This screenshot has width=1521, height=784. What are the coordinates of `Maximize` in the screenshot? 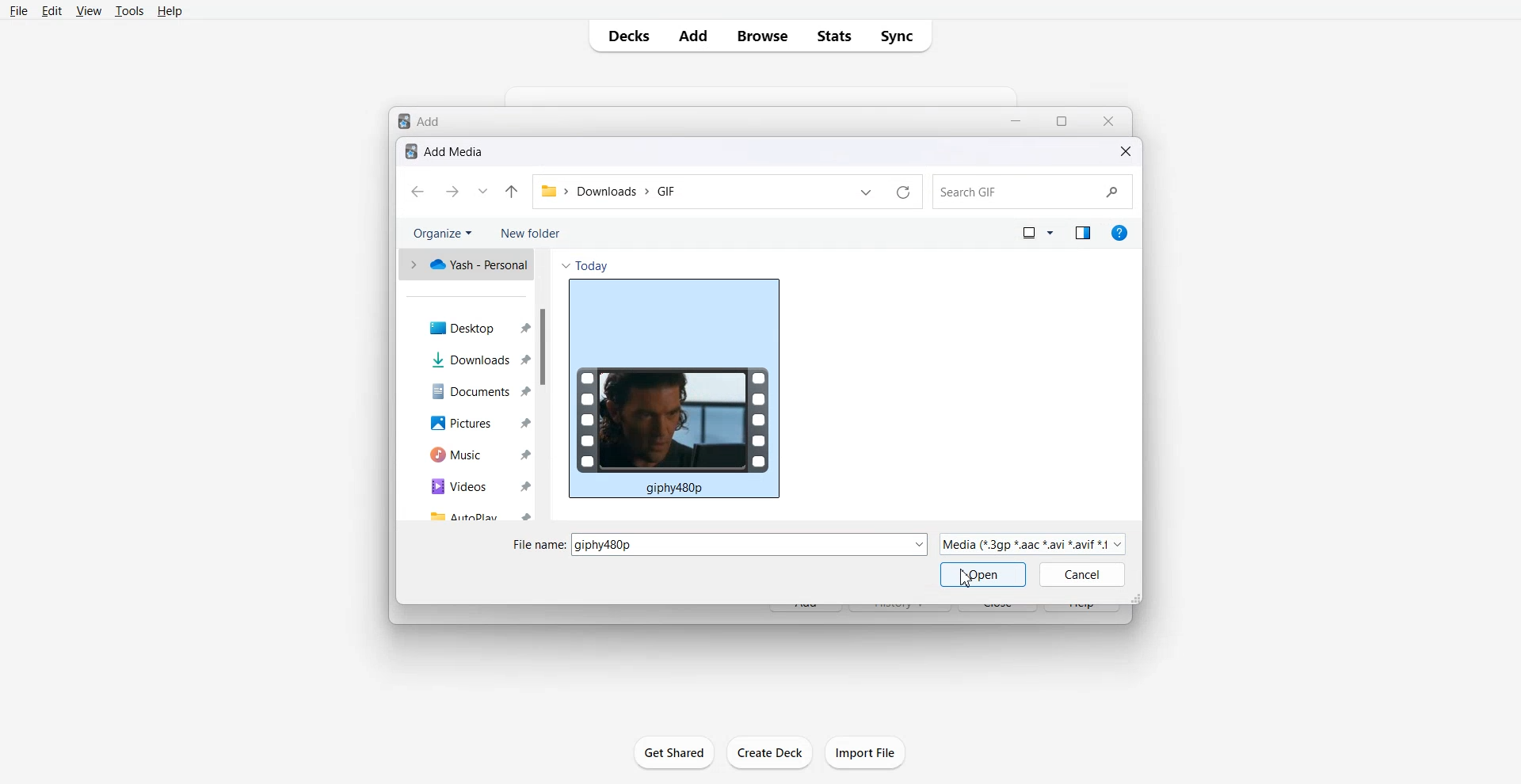 It's located at (1063, 121).